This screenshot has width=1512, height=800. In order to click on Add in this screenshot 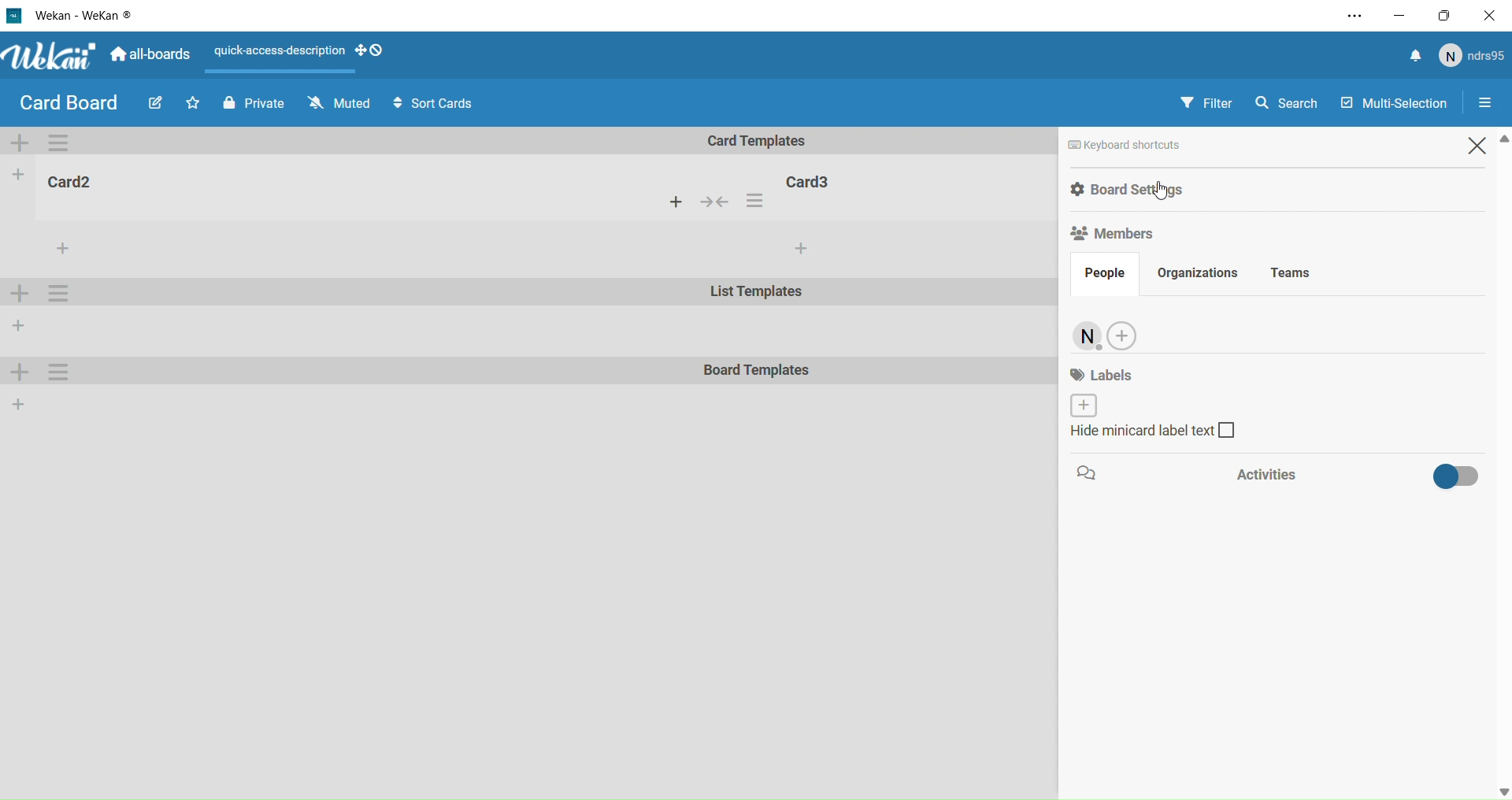, I will do `click(1125, 336)`.